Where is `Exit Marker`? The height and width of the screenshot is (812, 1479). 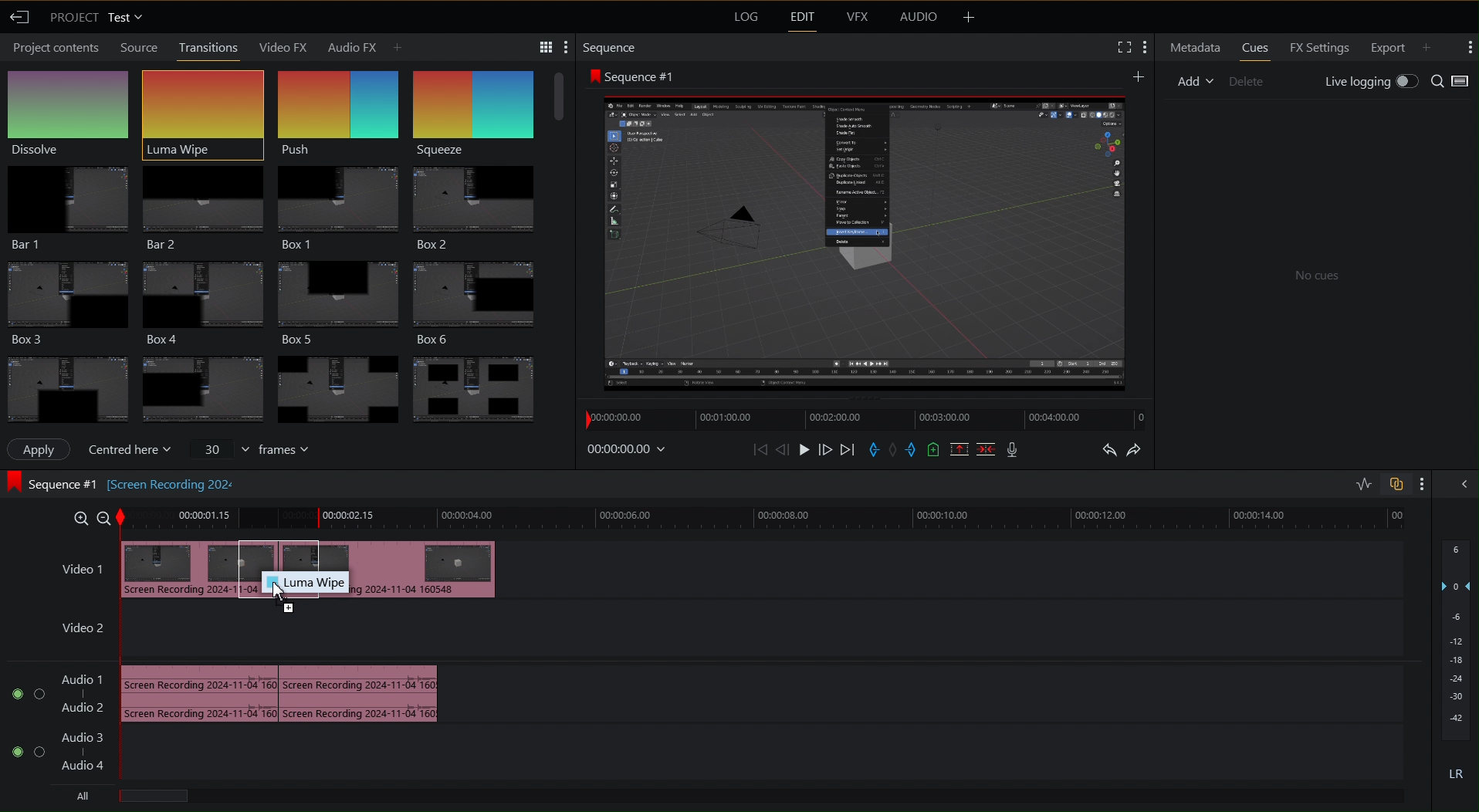
Exit Marker is located at coordinates (913, 450).